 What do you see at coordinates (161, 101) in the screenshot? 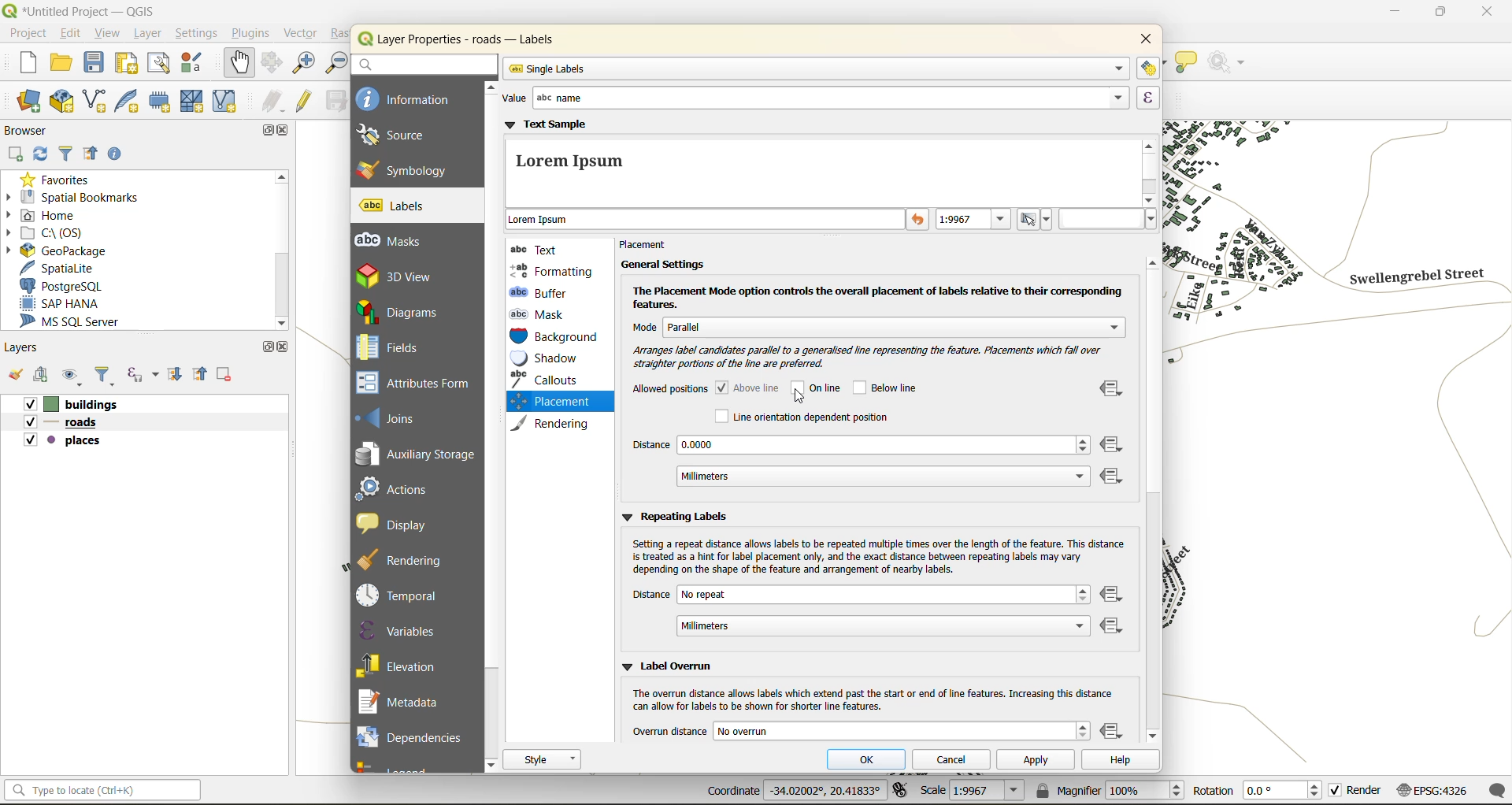
I see `temporary scratch layer` at bounding box center [161, 101].